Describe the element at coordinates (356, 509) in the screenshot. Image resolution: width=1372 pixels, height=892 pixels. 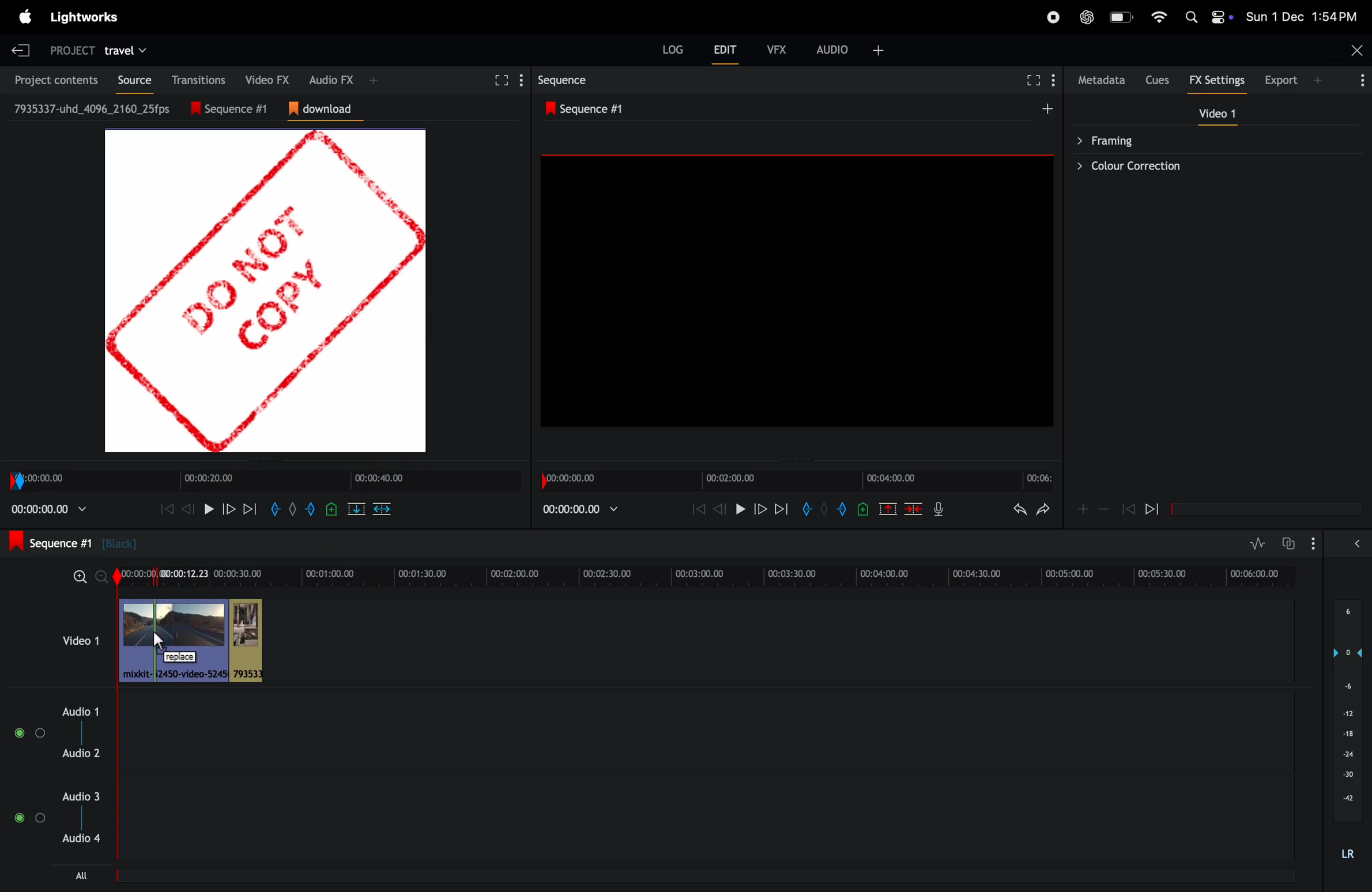
I see `cut` at that location.